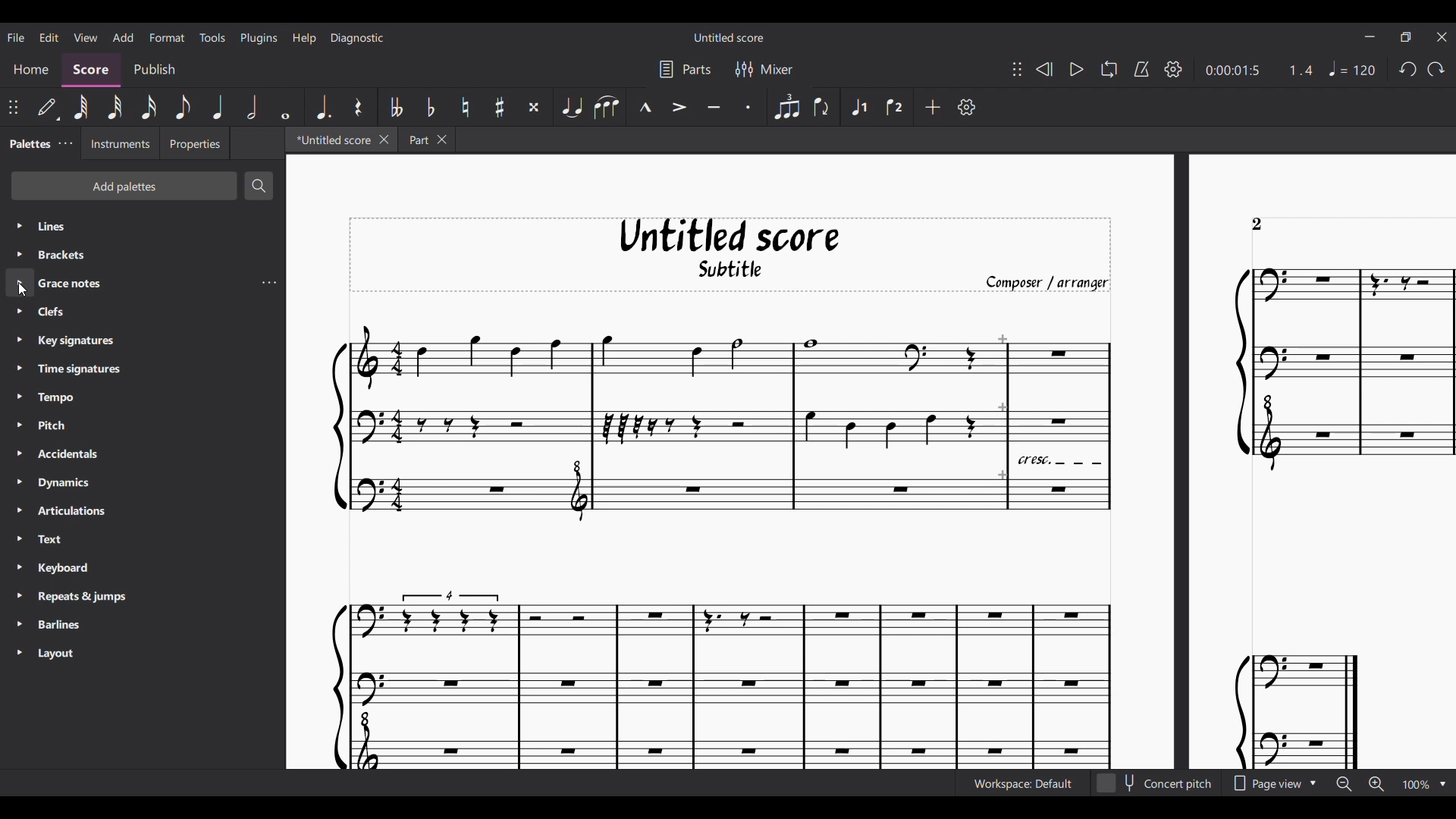 Image resolution: width=1456 pixels, height=819 pixels. I want to click on Toggle for Concert pitch, so click(1156, 783).